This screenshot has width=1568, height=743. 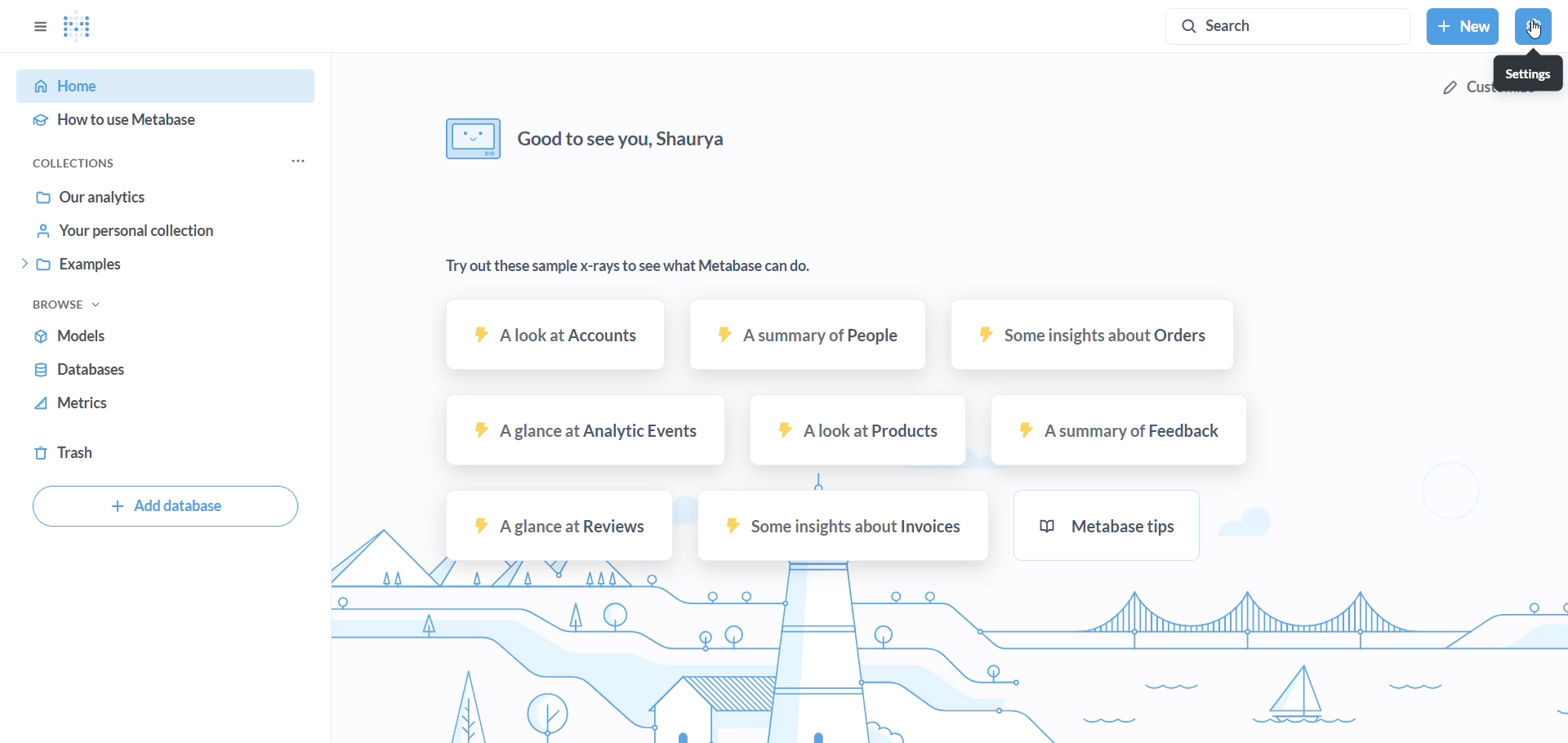 I want to click on LOGO, so click(x=82, y=24).